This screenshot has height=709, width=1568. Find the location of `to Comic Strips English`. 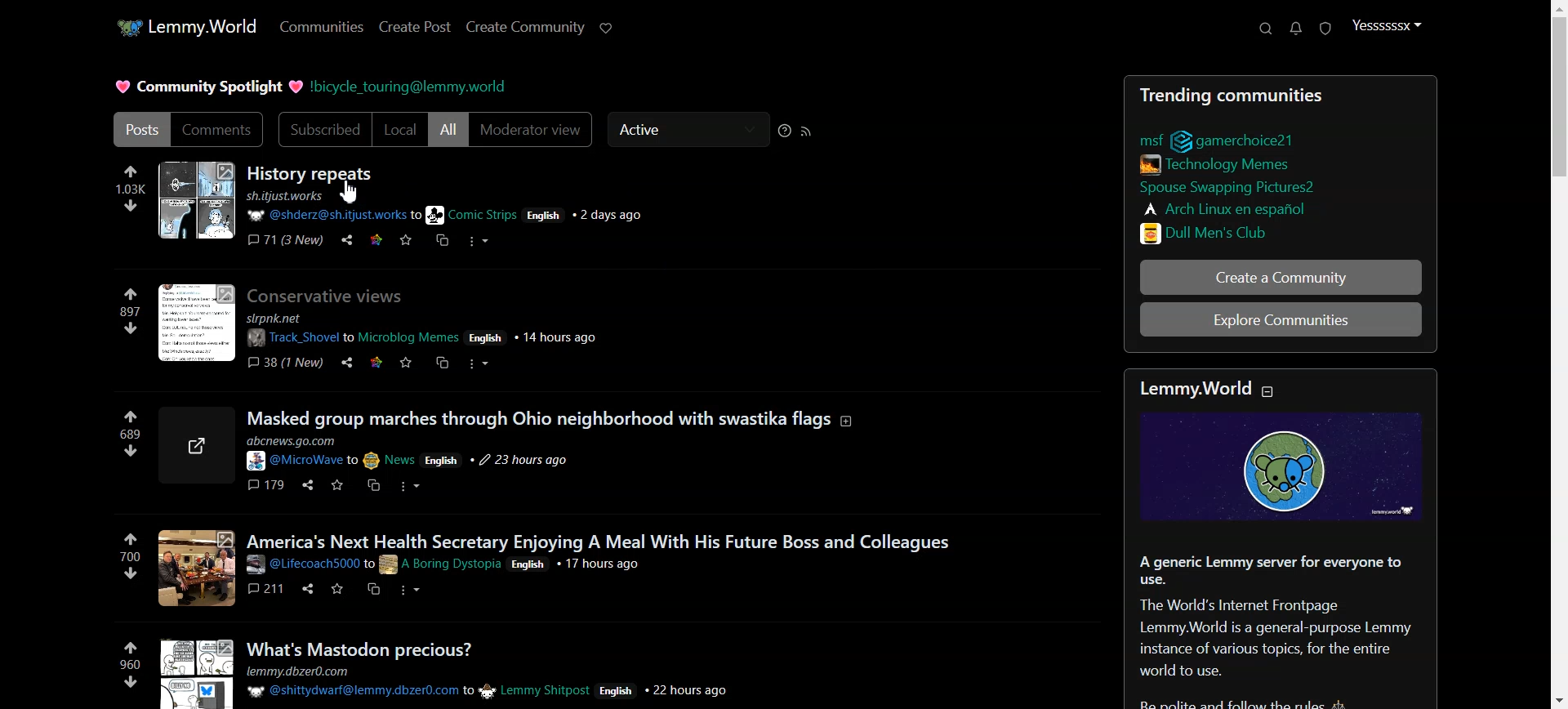

to Comic Strips English is located at coordinates (485, 215).